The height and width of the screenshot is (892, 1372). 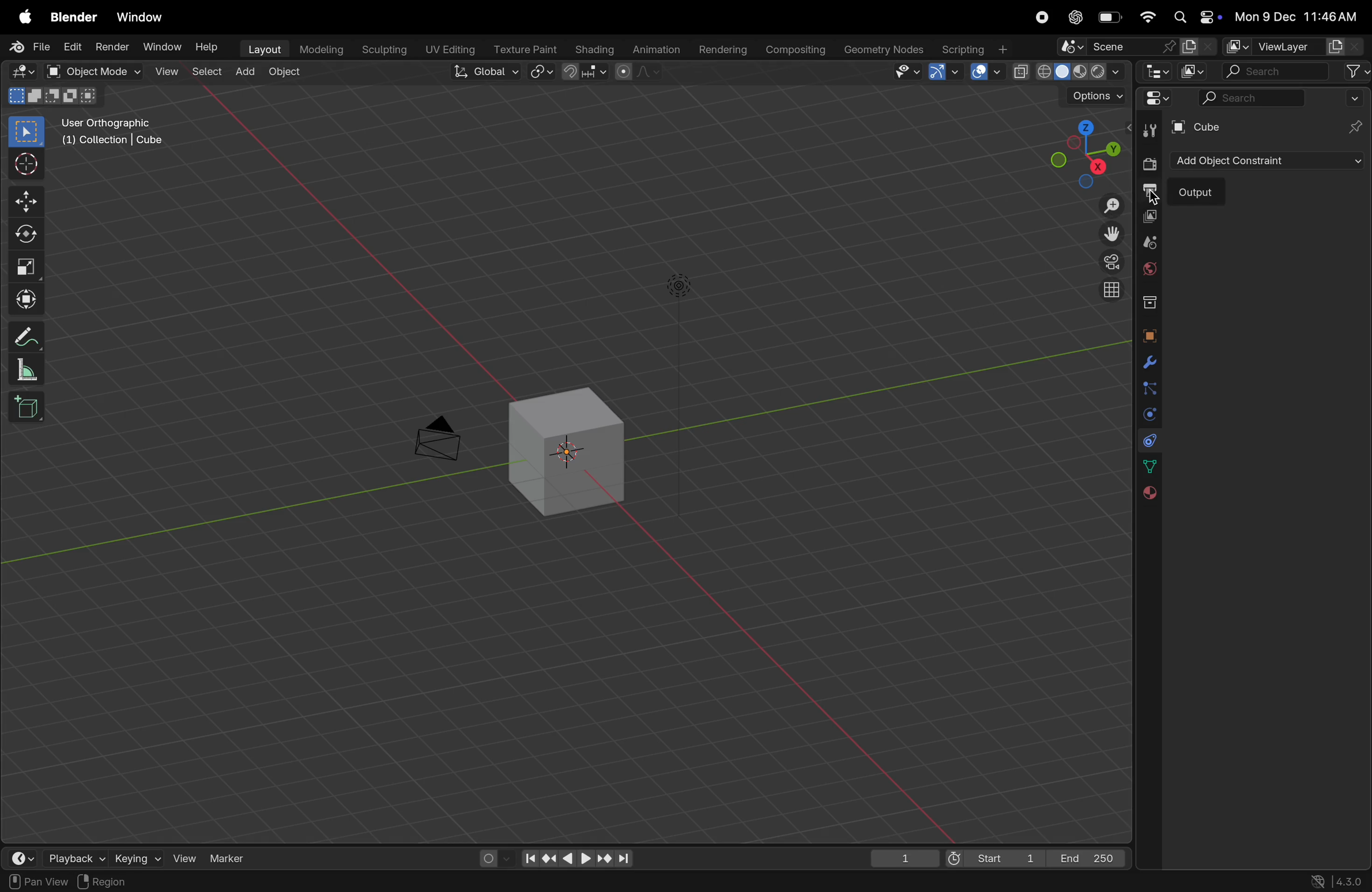 I want to click on Geometry nodes, so click(x=885, y=50).